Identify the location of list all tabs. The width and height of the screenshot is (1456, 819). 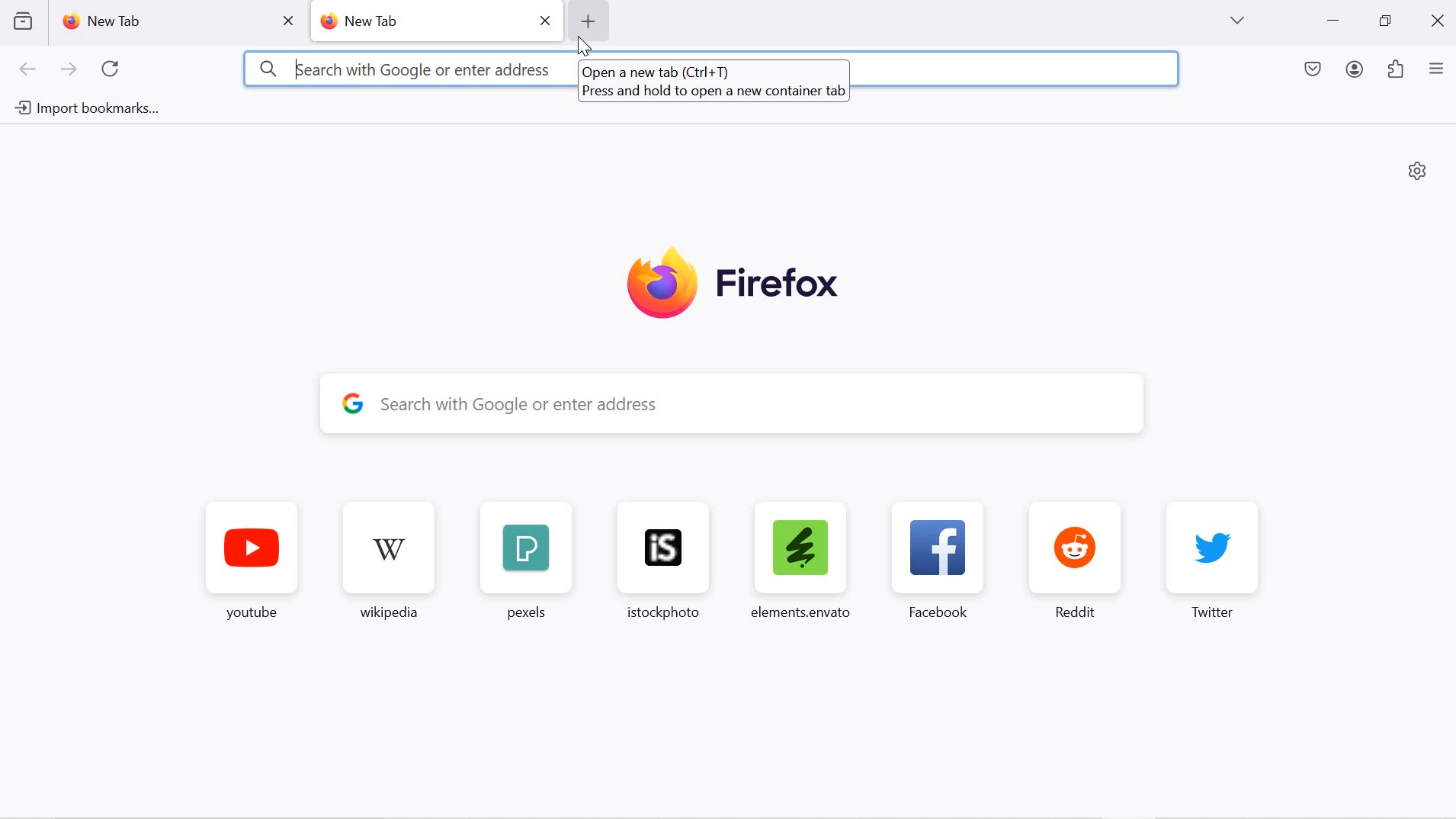
(1236, 21).